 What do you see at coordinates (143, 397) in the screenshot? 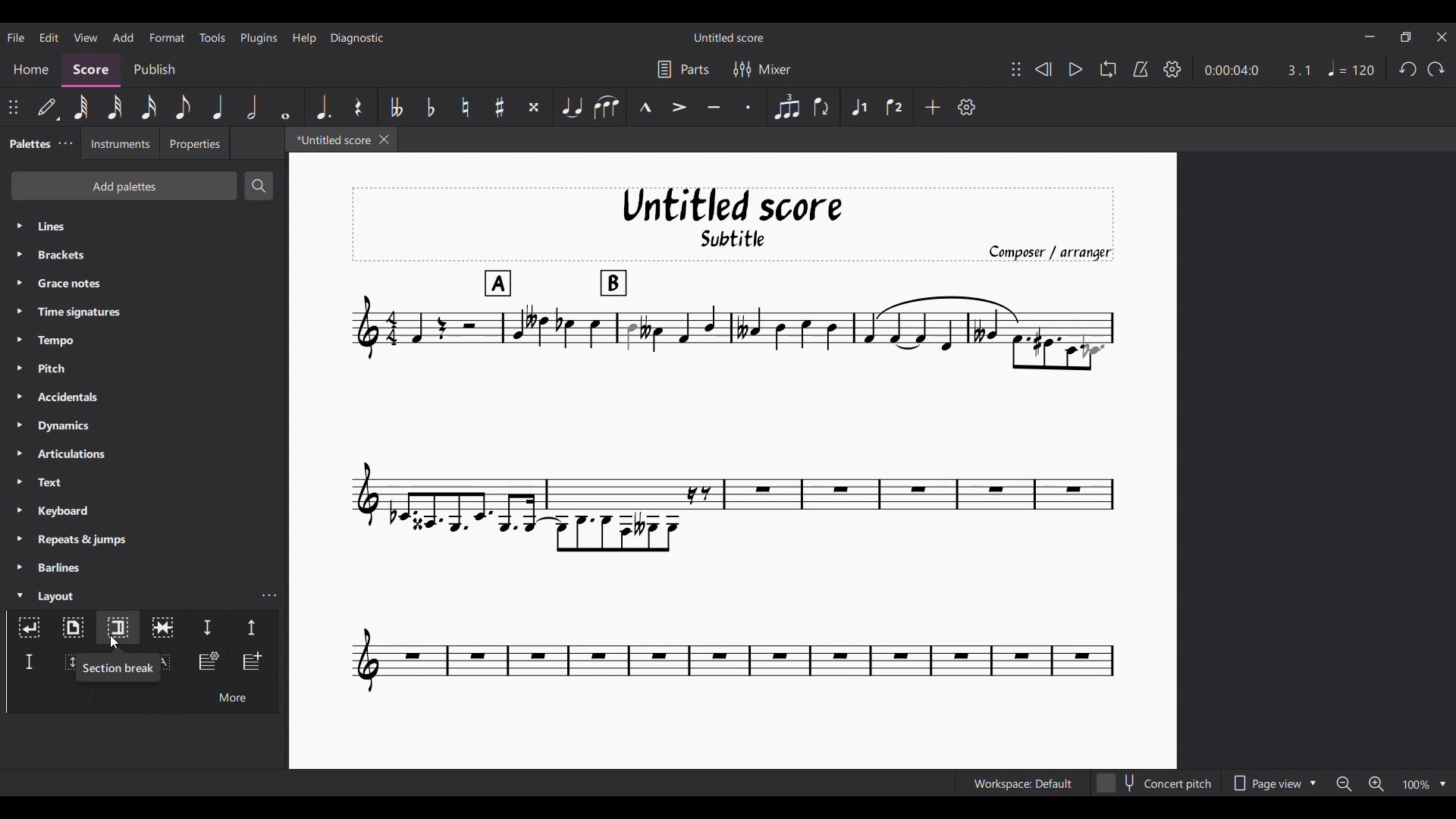
I see `Accidentals` at bounding box center [143, 397].